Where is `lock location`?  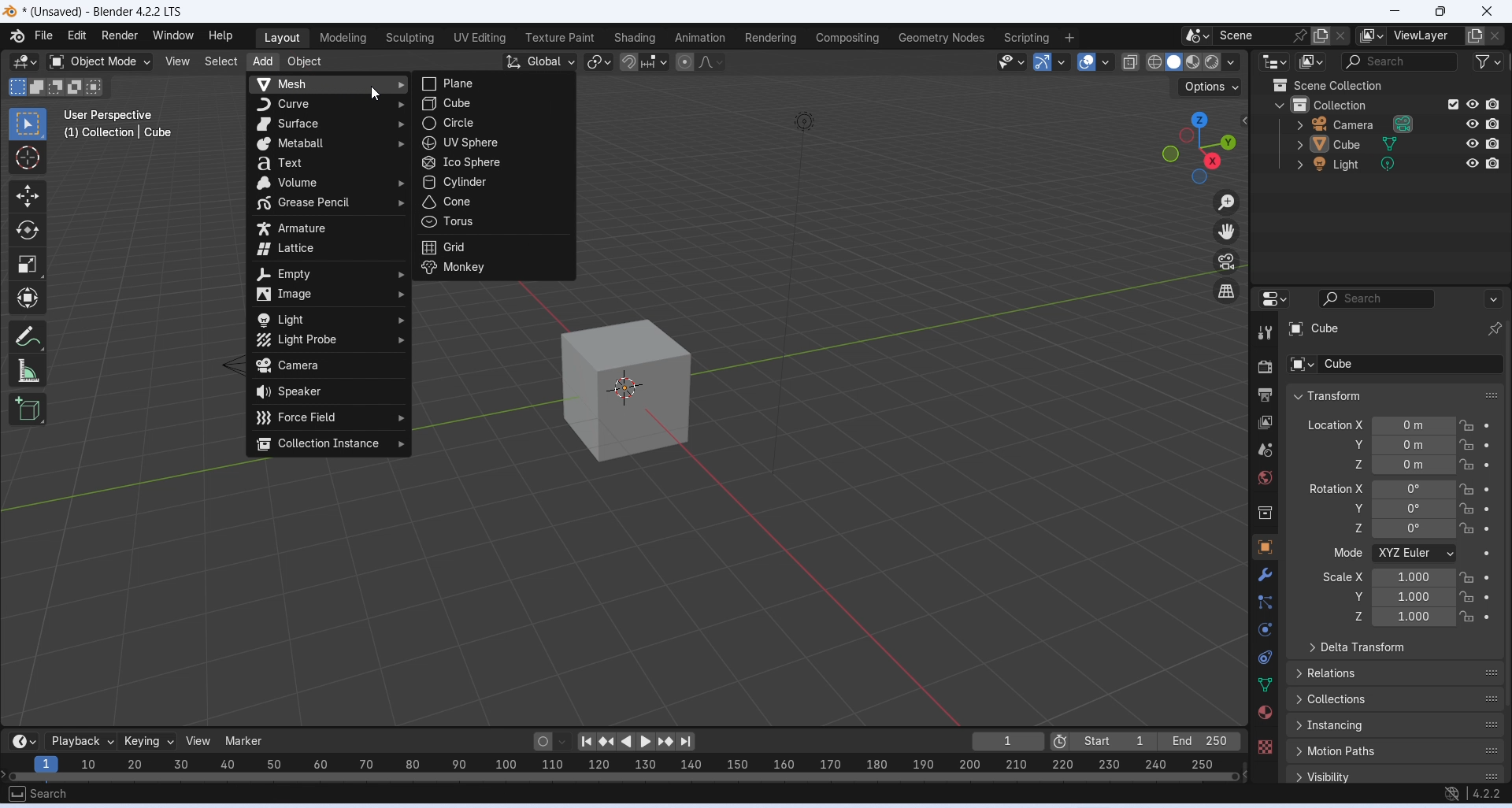
lock location is located at coordinates (1467, 578).